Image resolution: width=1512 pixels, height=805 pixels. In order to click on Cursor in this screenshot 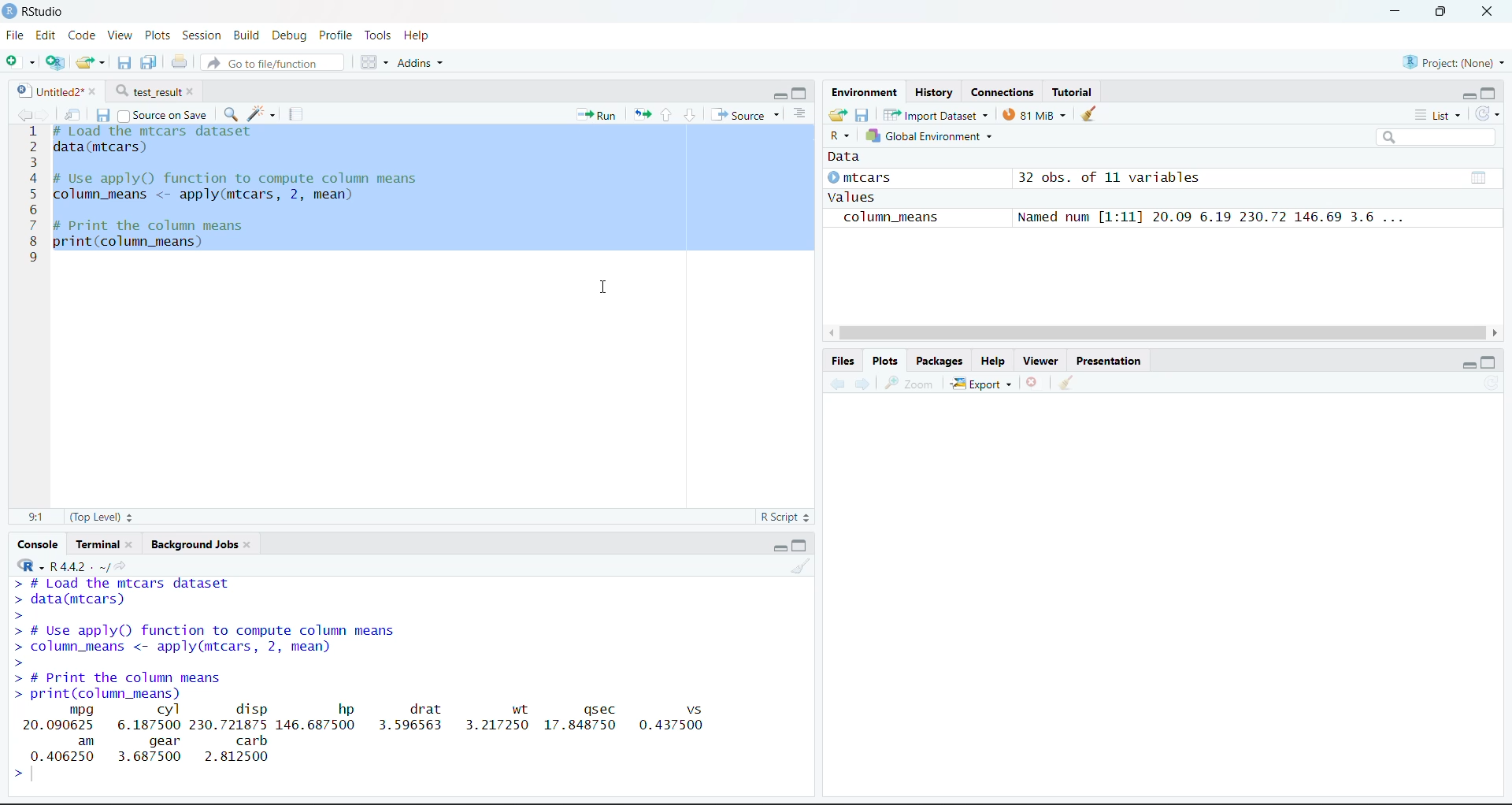, I will do `click(606, 286)`.